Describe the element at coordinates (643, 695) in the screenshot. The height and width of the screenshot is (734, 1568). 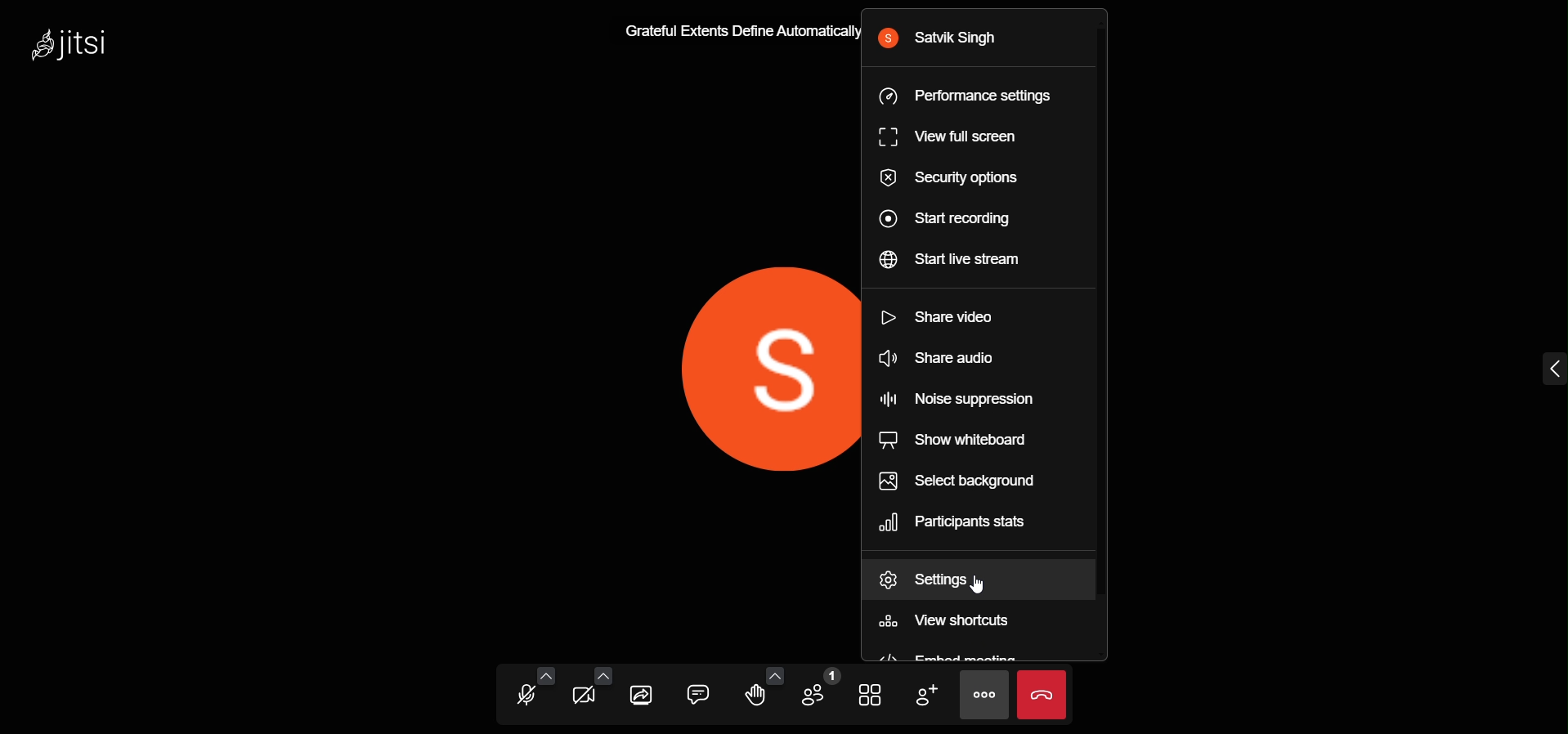
I see `svreen share` at that location.